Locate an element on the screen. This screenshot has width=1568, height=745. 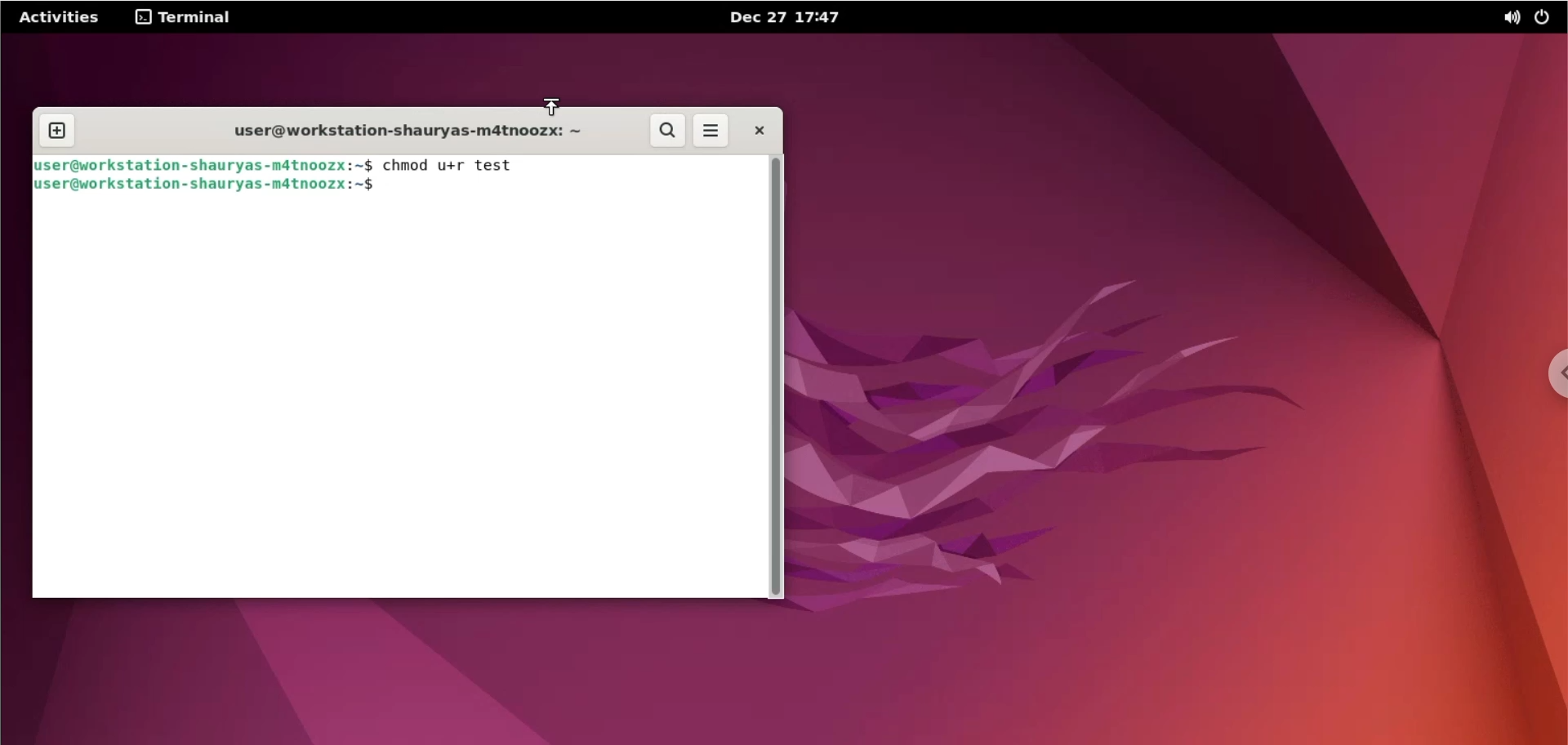
chrome options is located at coordinates (1549, 373).